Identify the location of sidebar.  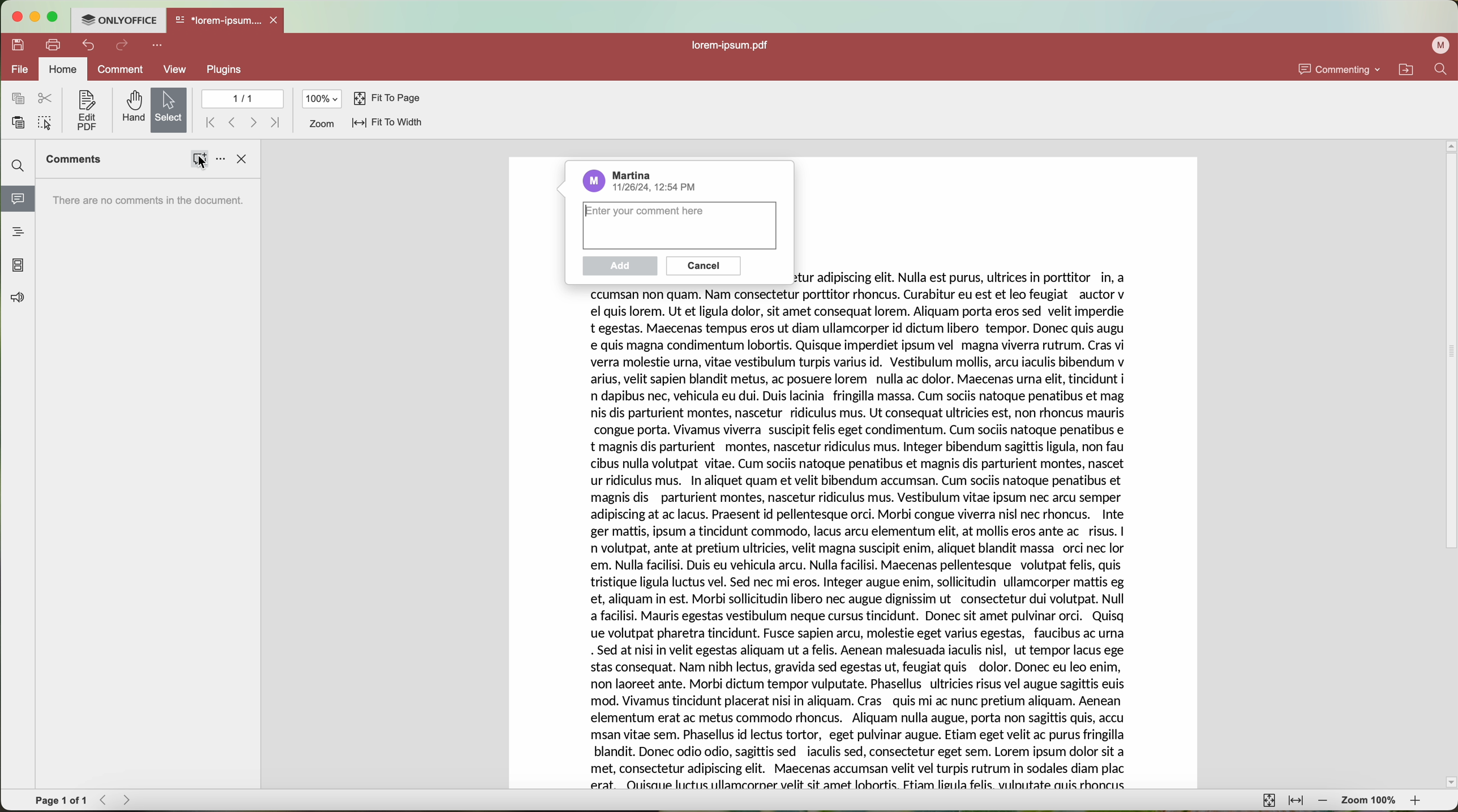
(148, 484).